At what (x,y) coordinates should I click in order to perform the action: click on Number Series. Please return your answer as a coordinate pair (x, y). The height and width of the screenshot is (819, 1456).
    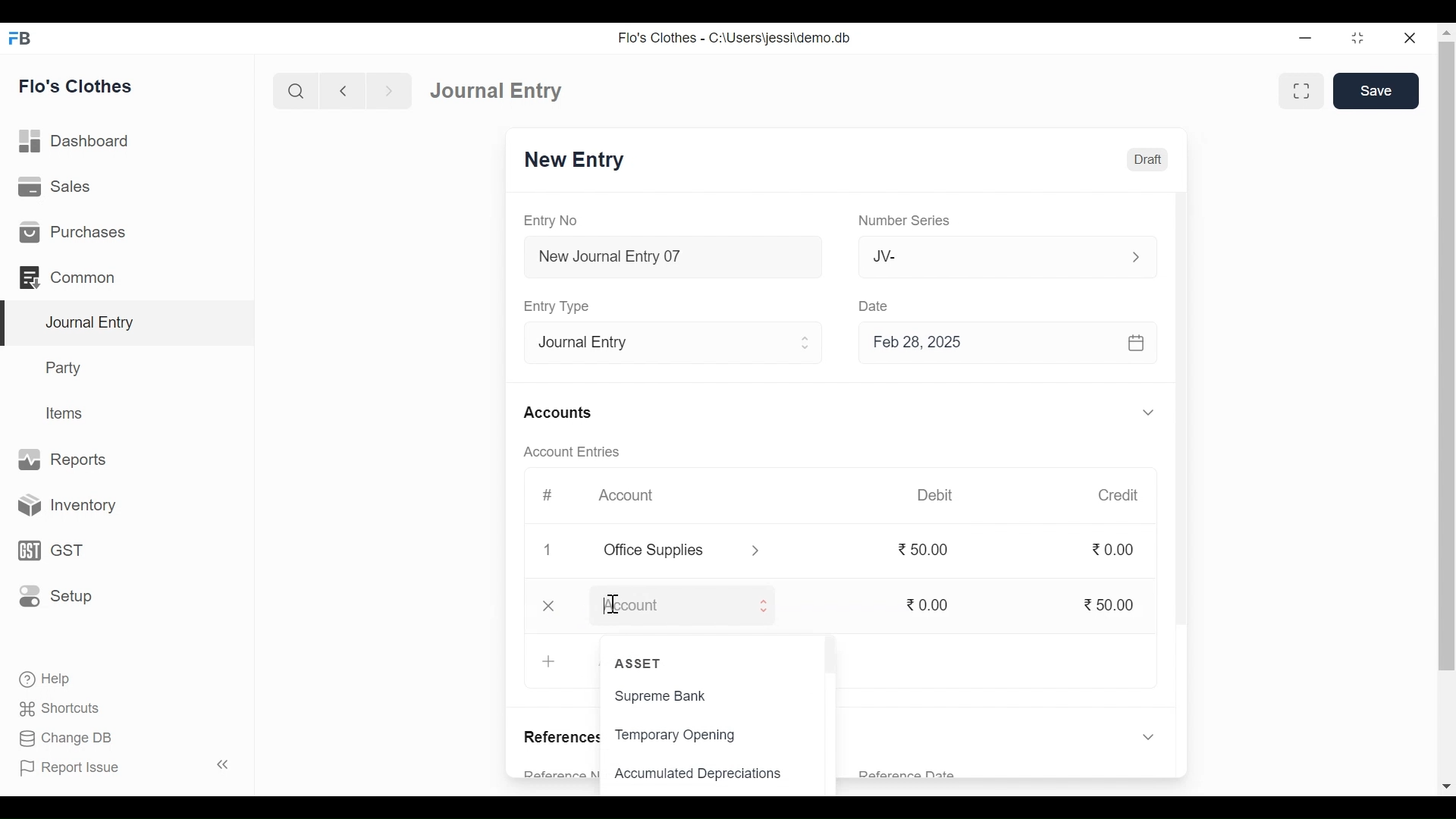
    Looking at the image, I should click on (904, 221).